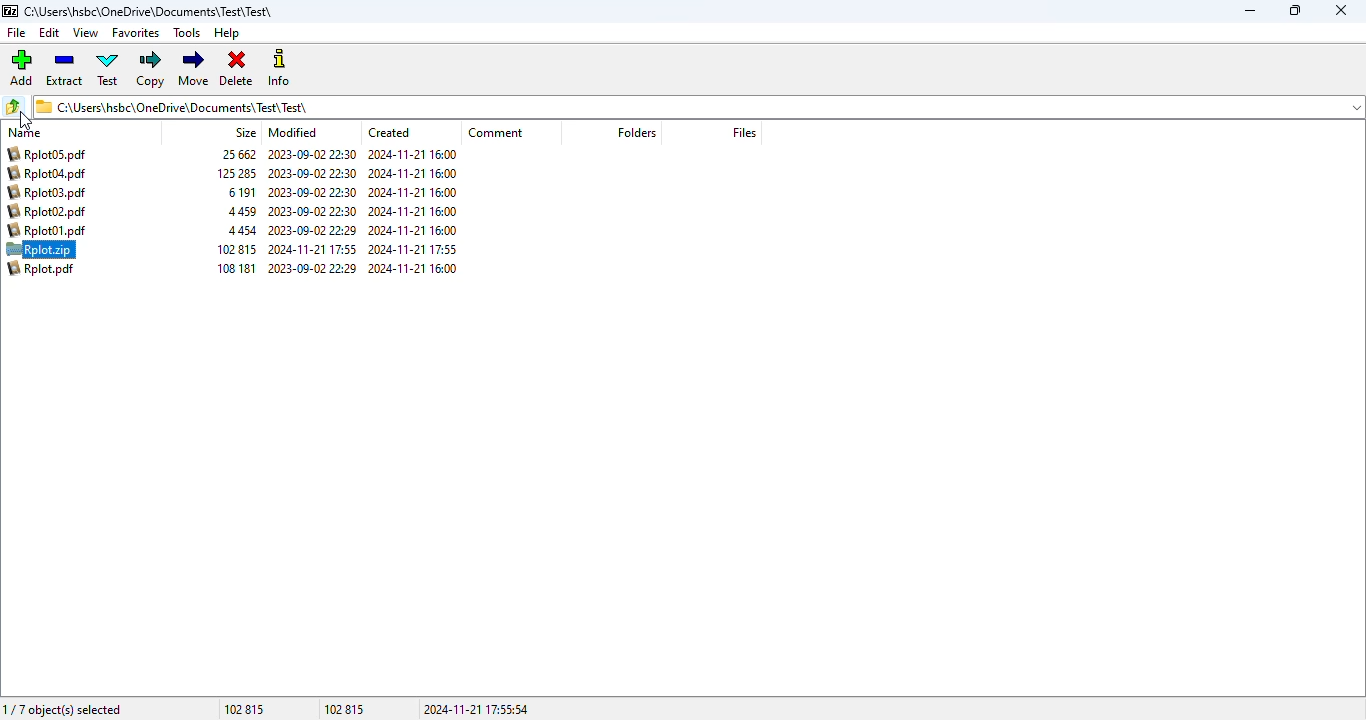 The height and width of the screenshot is (720, 1366). Describe the element at coordinates (135, 33) in the screenshot. I see `favorites` at that location.